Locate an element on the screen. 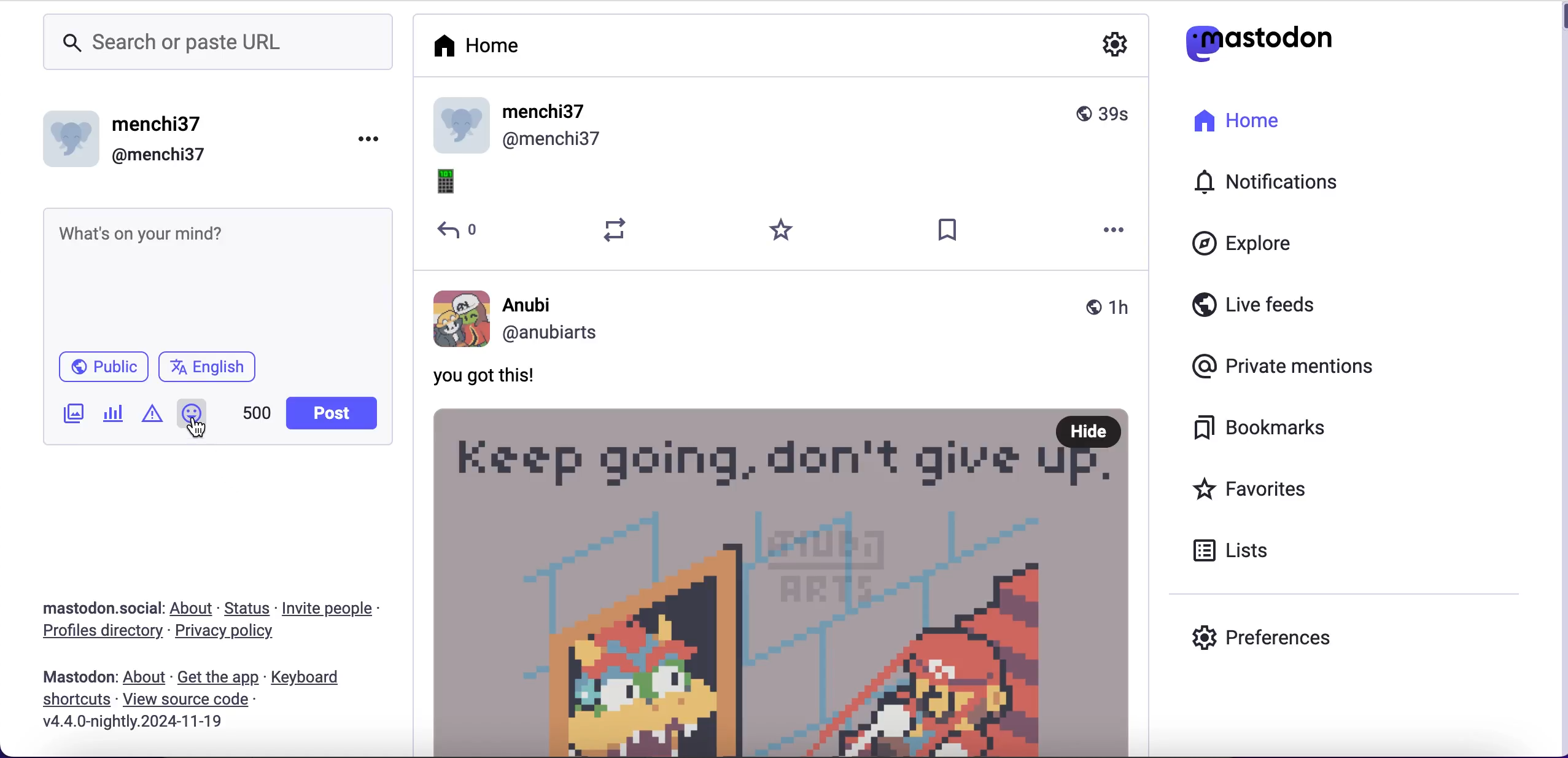 The height and width of the screenshot is (758, 1568). view source code is located at coordinates (209, 702).